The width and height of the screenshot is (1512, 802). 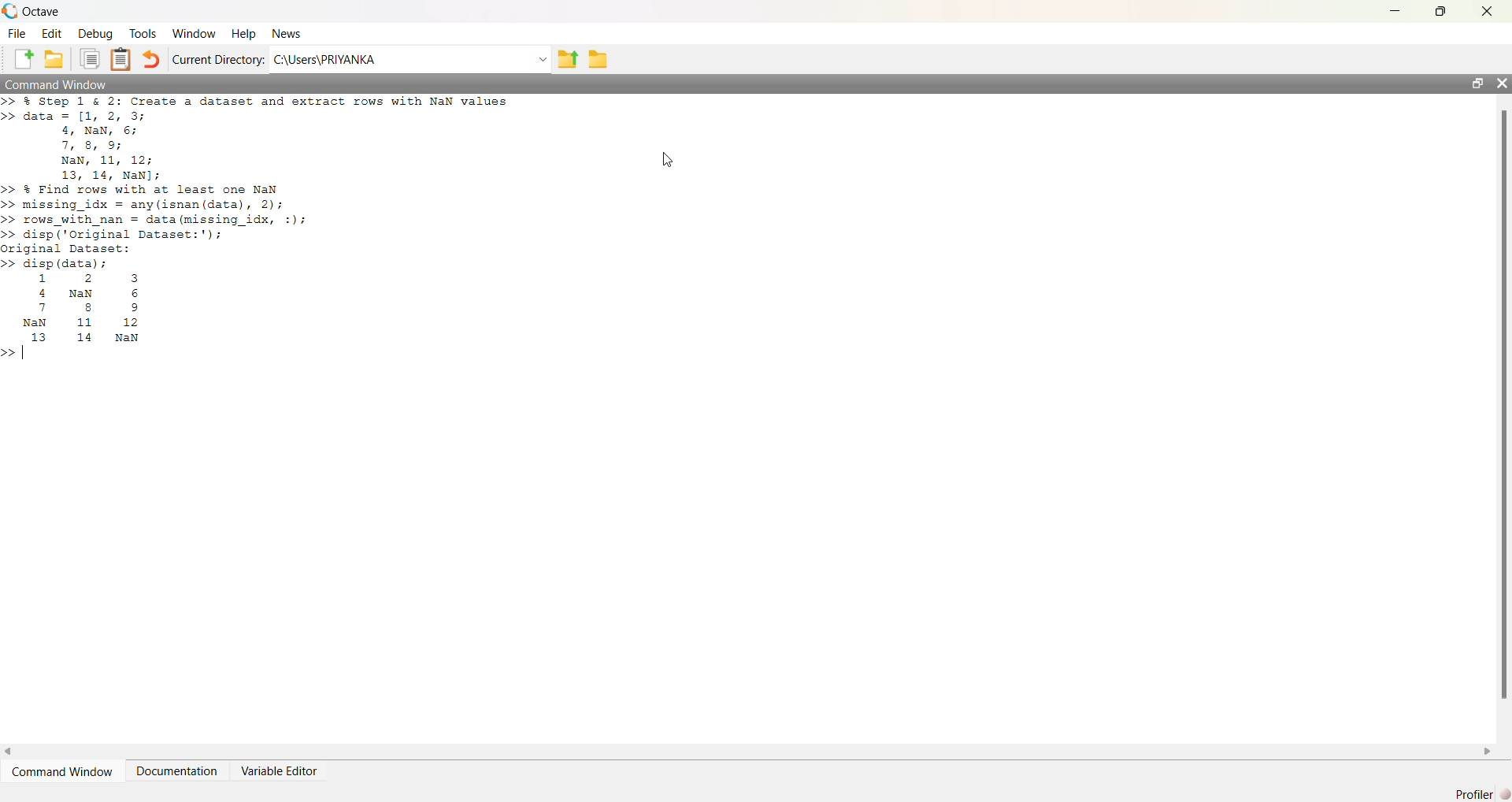 I want to click on C:\Users\PRIYANKA, so click(x=324, y=59).